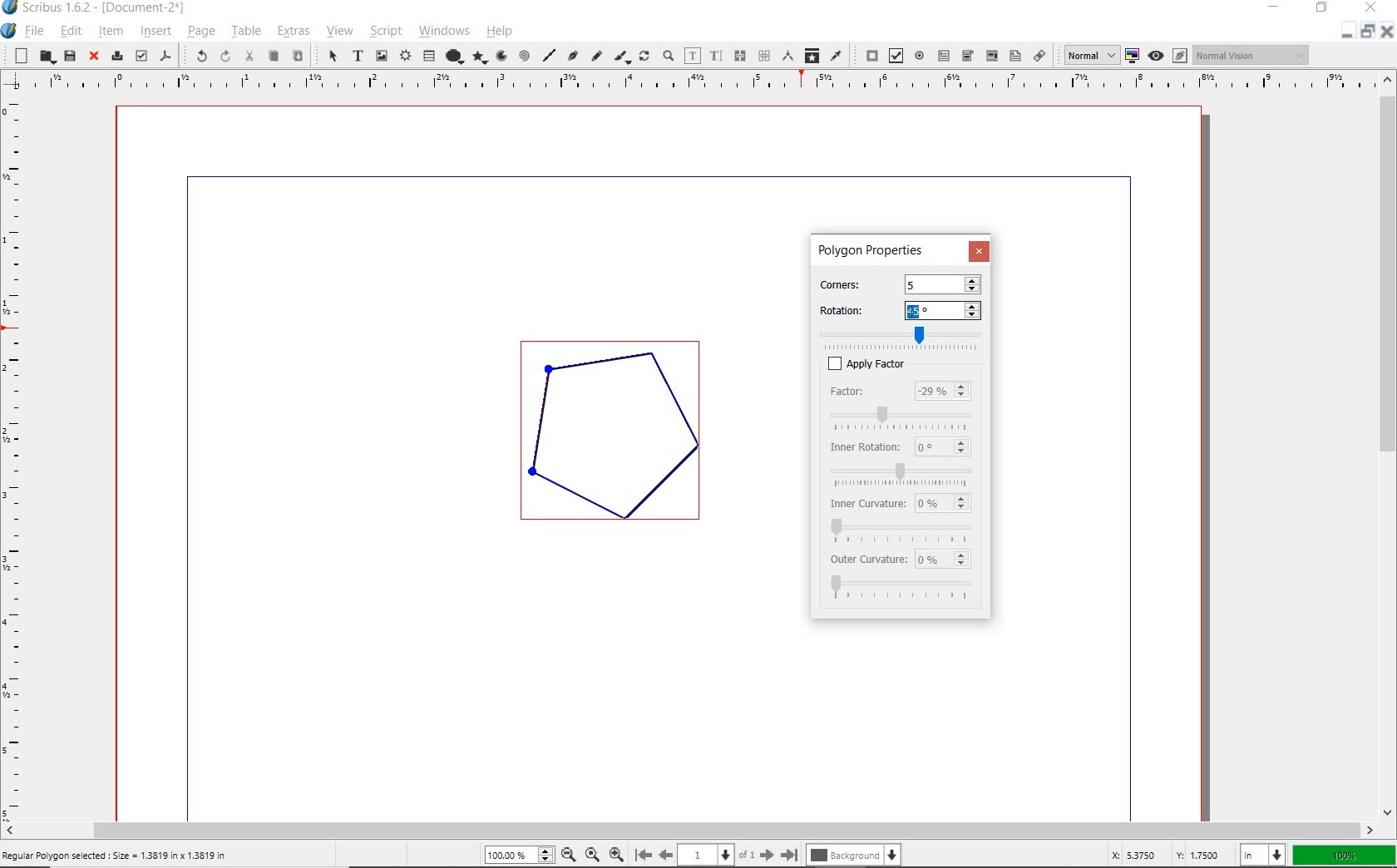  I want to click on 100%, so click(521, 854).